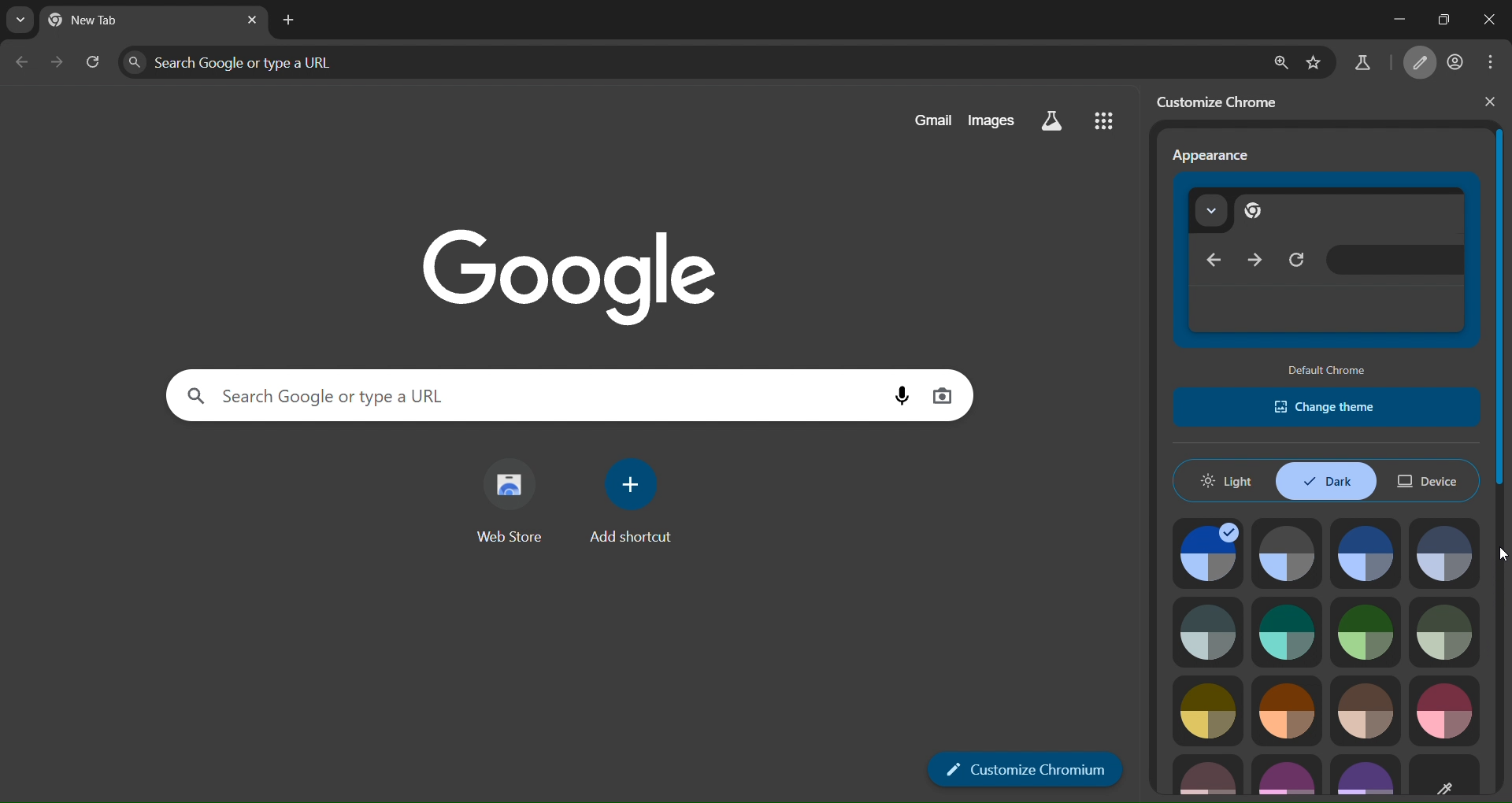 Image resolution: width=1512 pixels, height=803 pixels. What do you see at coordinates (510, 506) in the screenshot?
I see `web store` at bounding box center [510, 506].